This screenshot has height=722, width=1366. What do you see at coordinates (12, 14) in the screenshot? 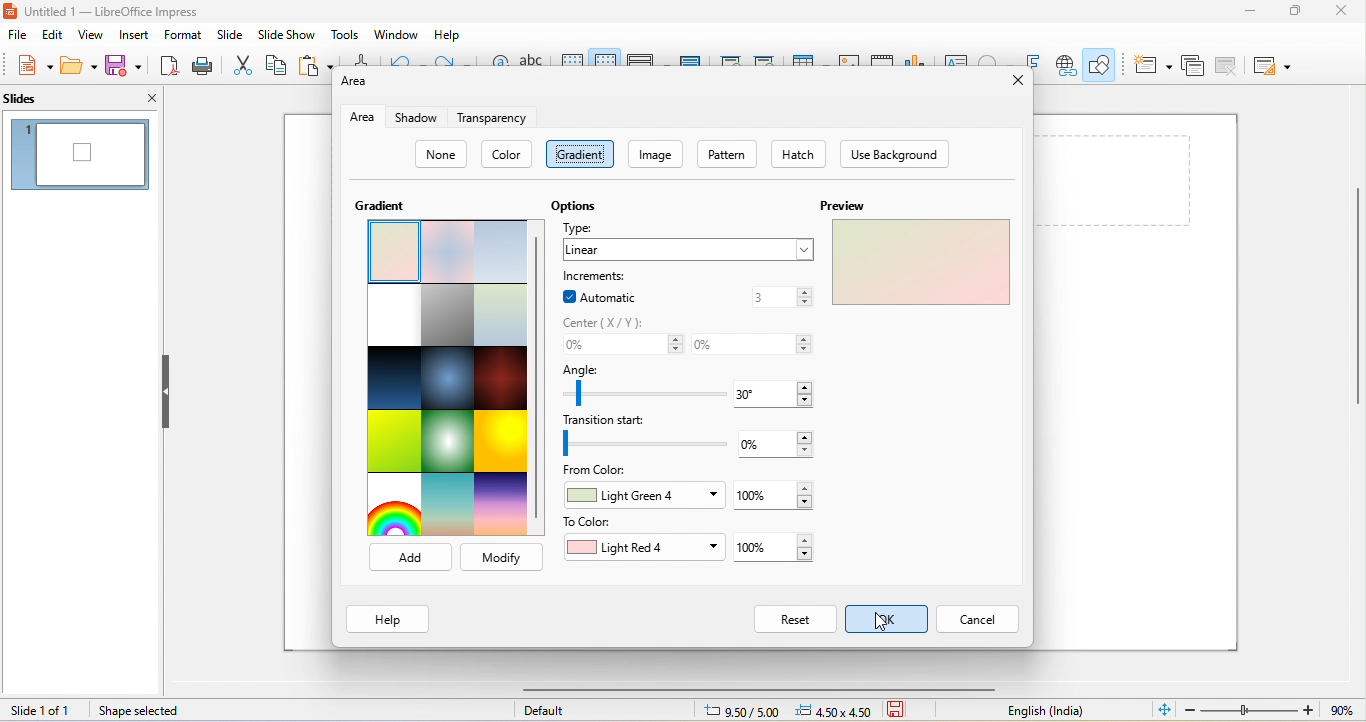
I see `logo` at bounding box center [12, 14].